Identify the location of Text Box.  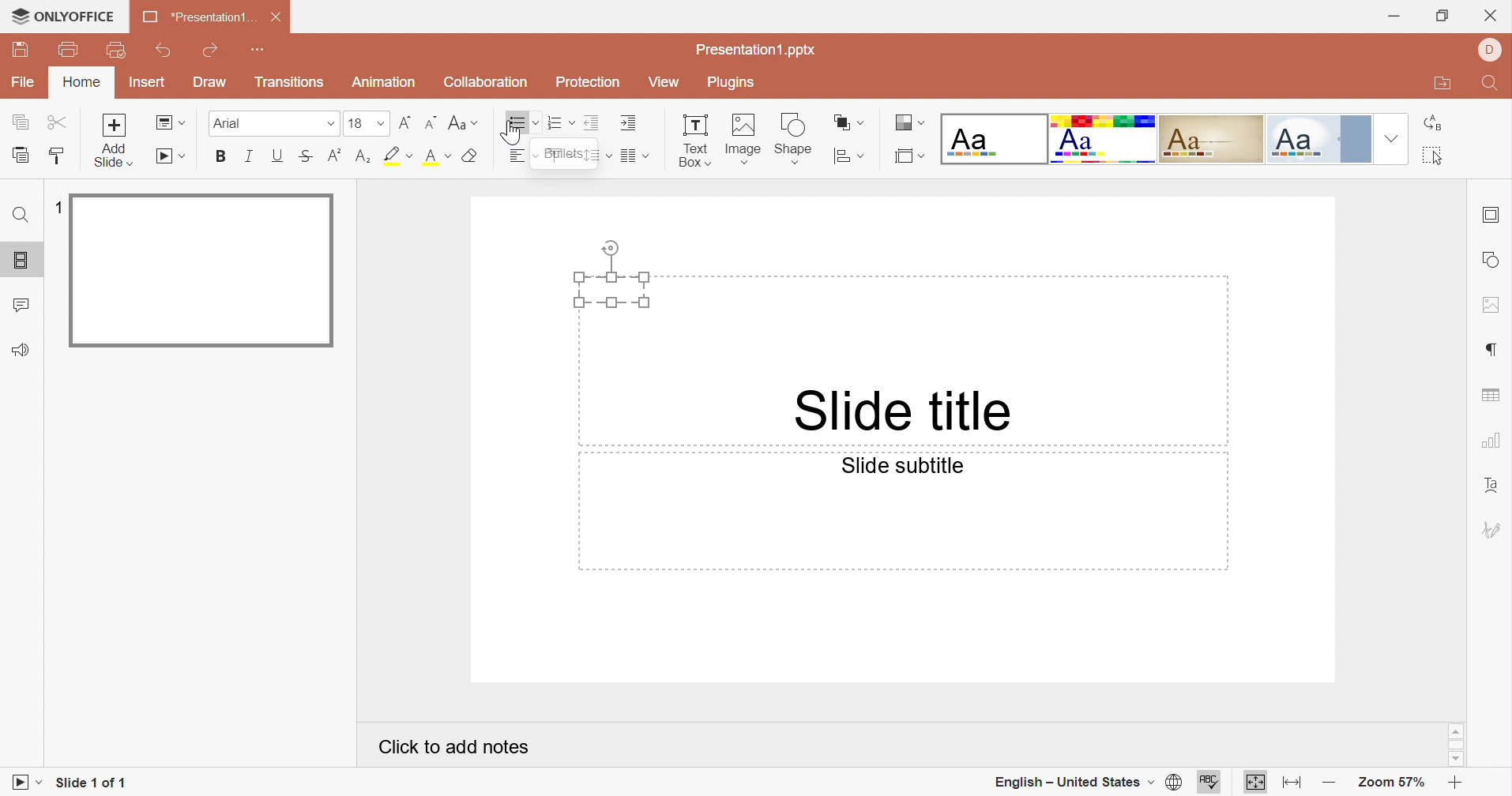
(690, 142).